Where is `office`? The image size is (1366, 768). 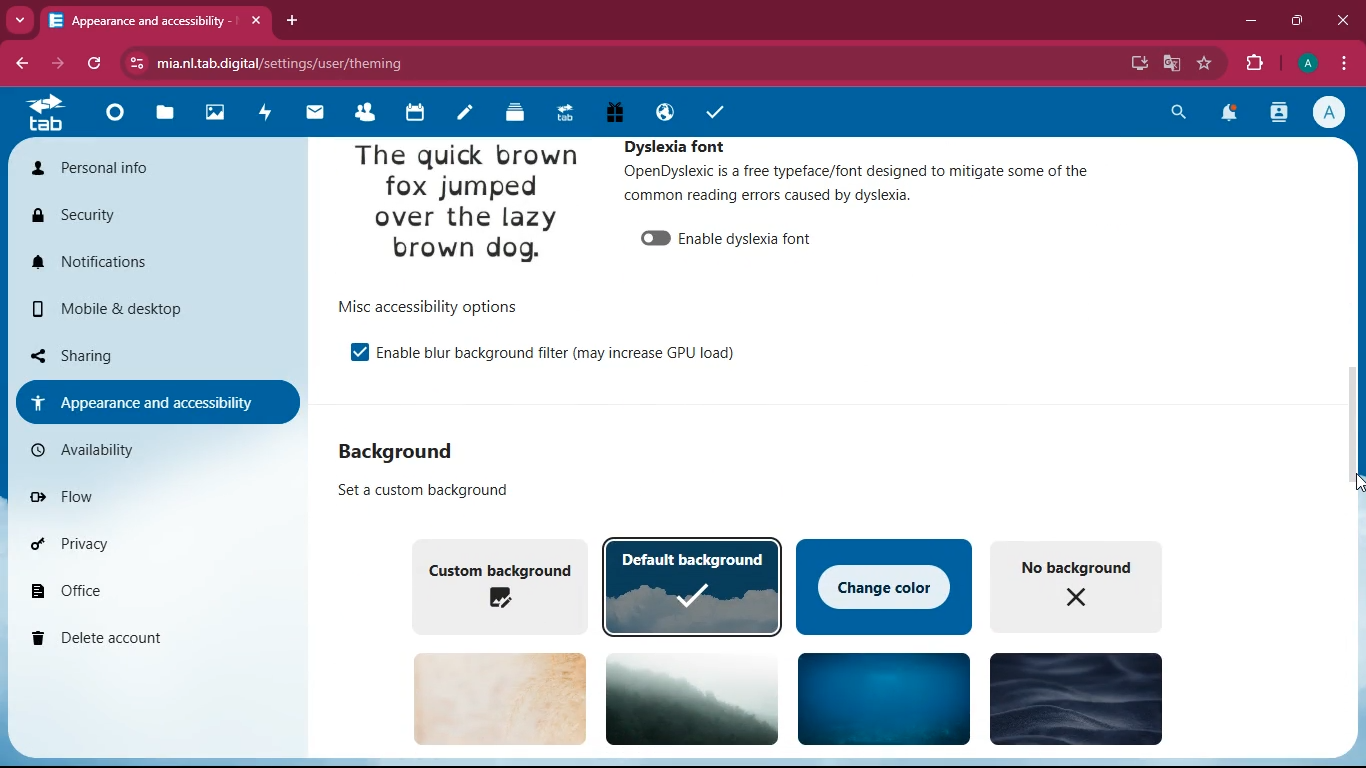
office is located at coordinates (140, 589).